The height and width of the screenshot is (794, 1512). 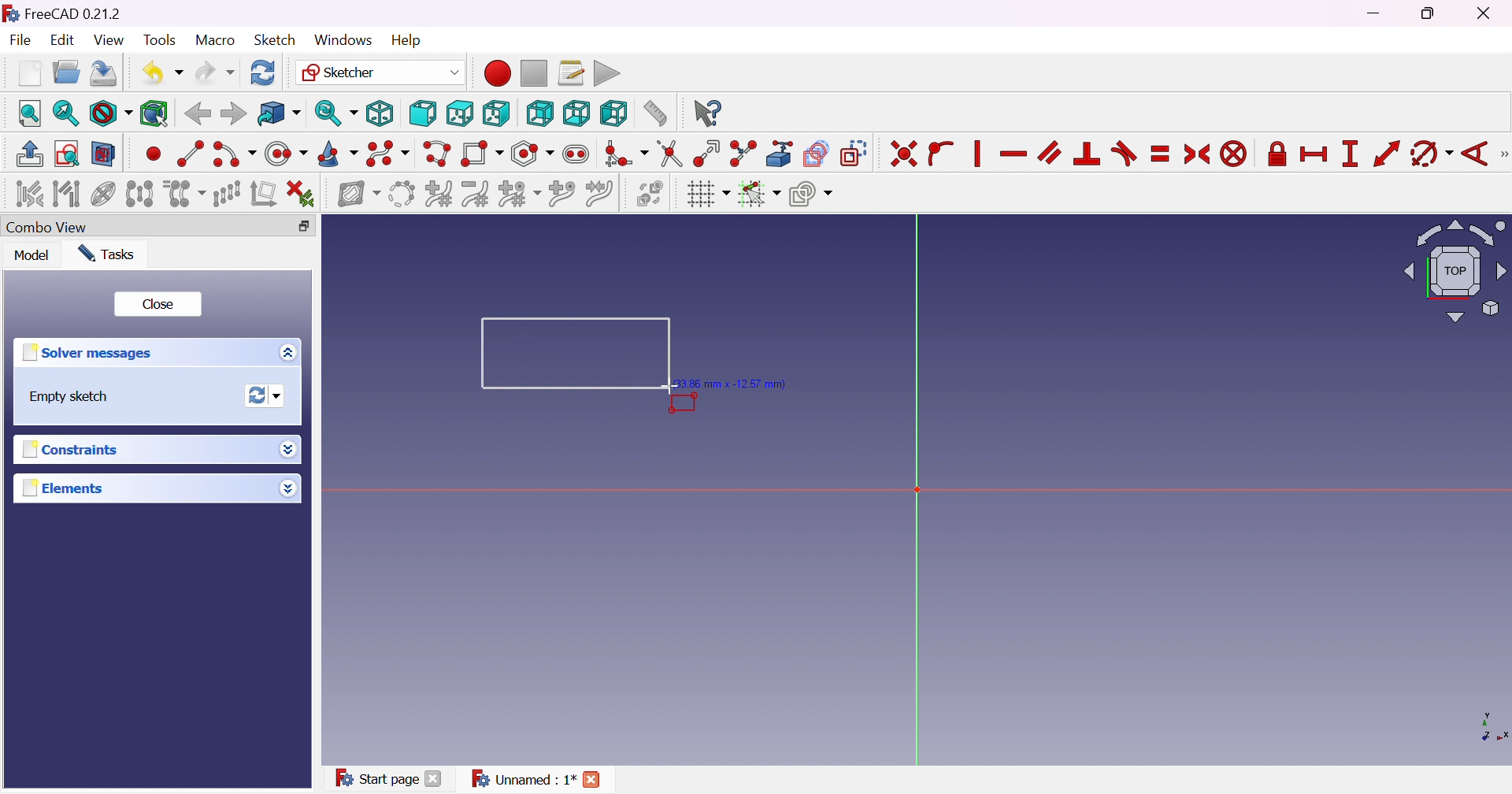 I want to click on Constrain distance, so click(x=1386, y=154).